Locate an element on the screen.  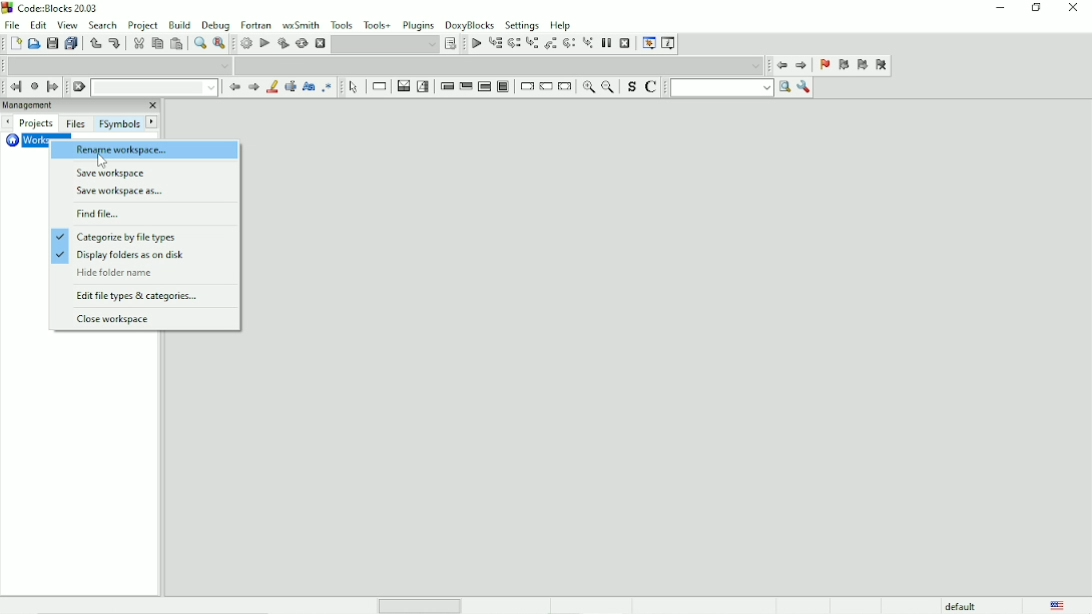
Run to cursor is located at coordinates (496, 45).